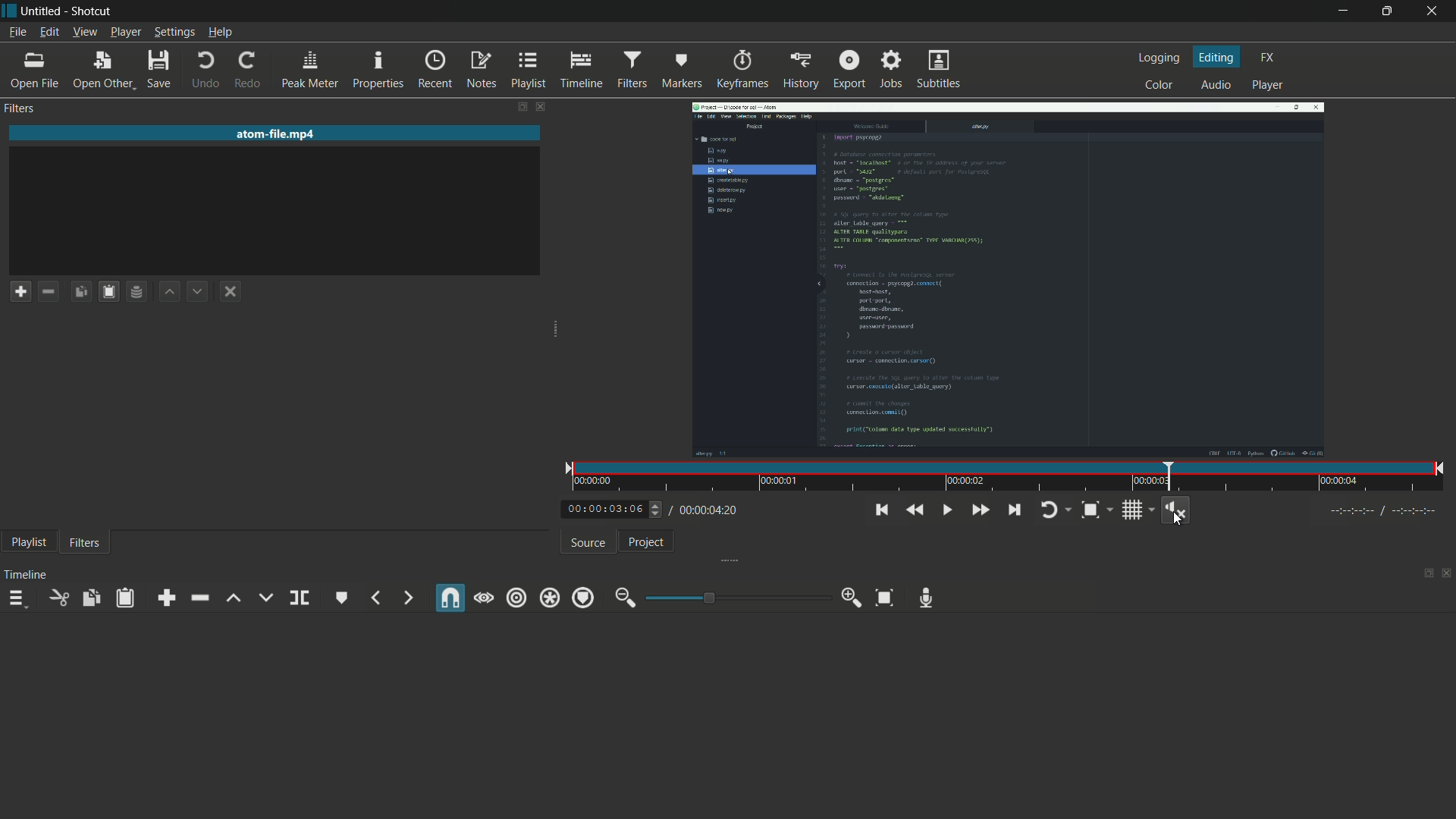 Image resolution: width=1456 pixels, height=819 pixels. What do you see at coordinates (376, 598) in the screenshot?
I see `previous marker` at bounding box center [376, 598].